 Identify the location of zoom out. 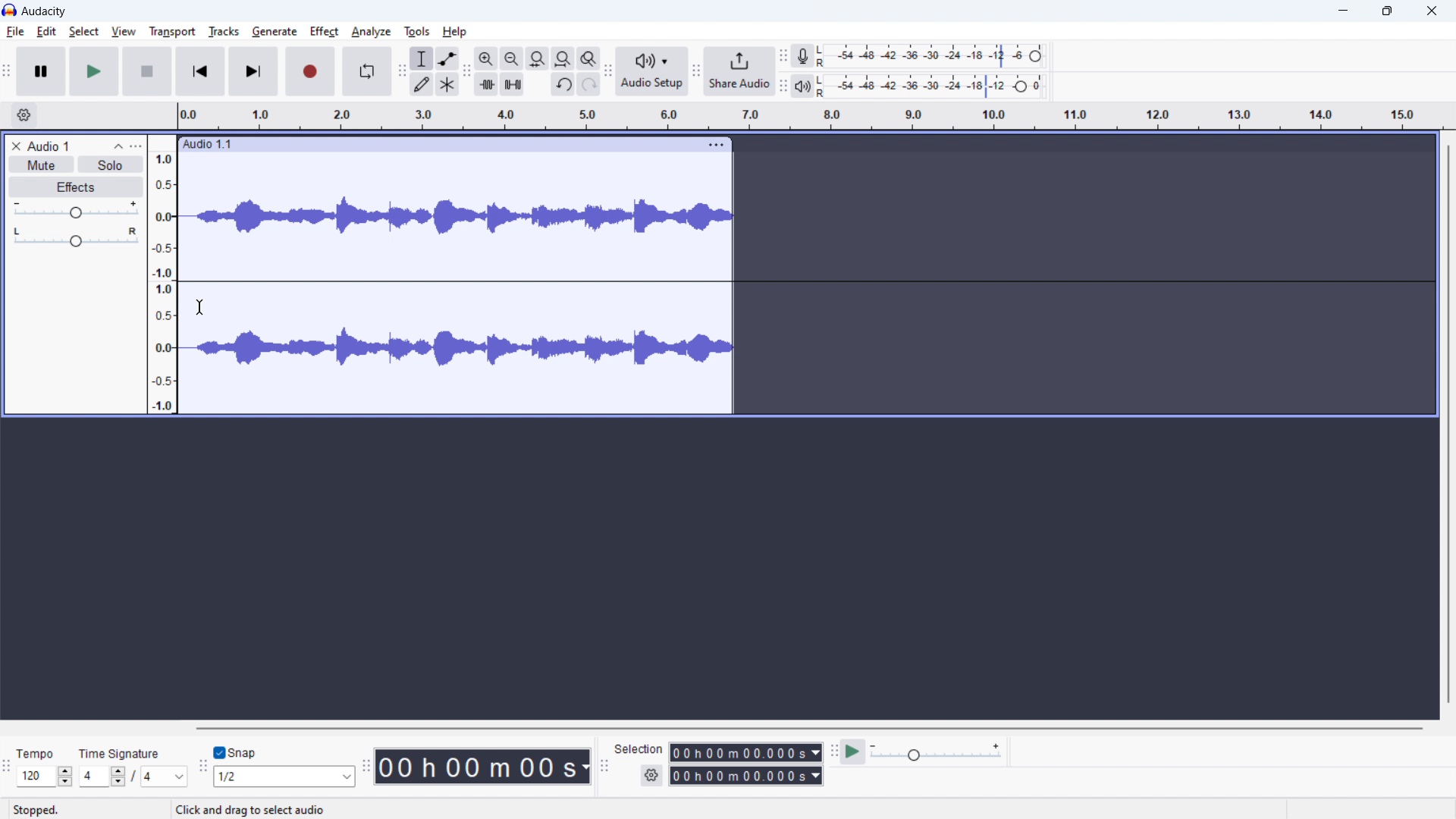
(511, 58).